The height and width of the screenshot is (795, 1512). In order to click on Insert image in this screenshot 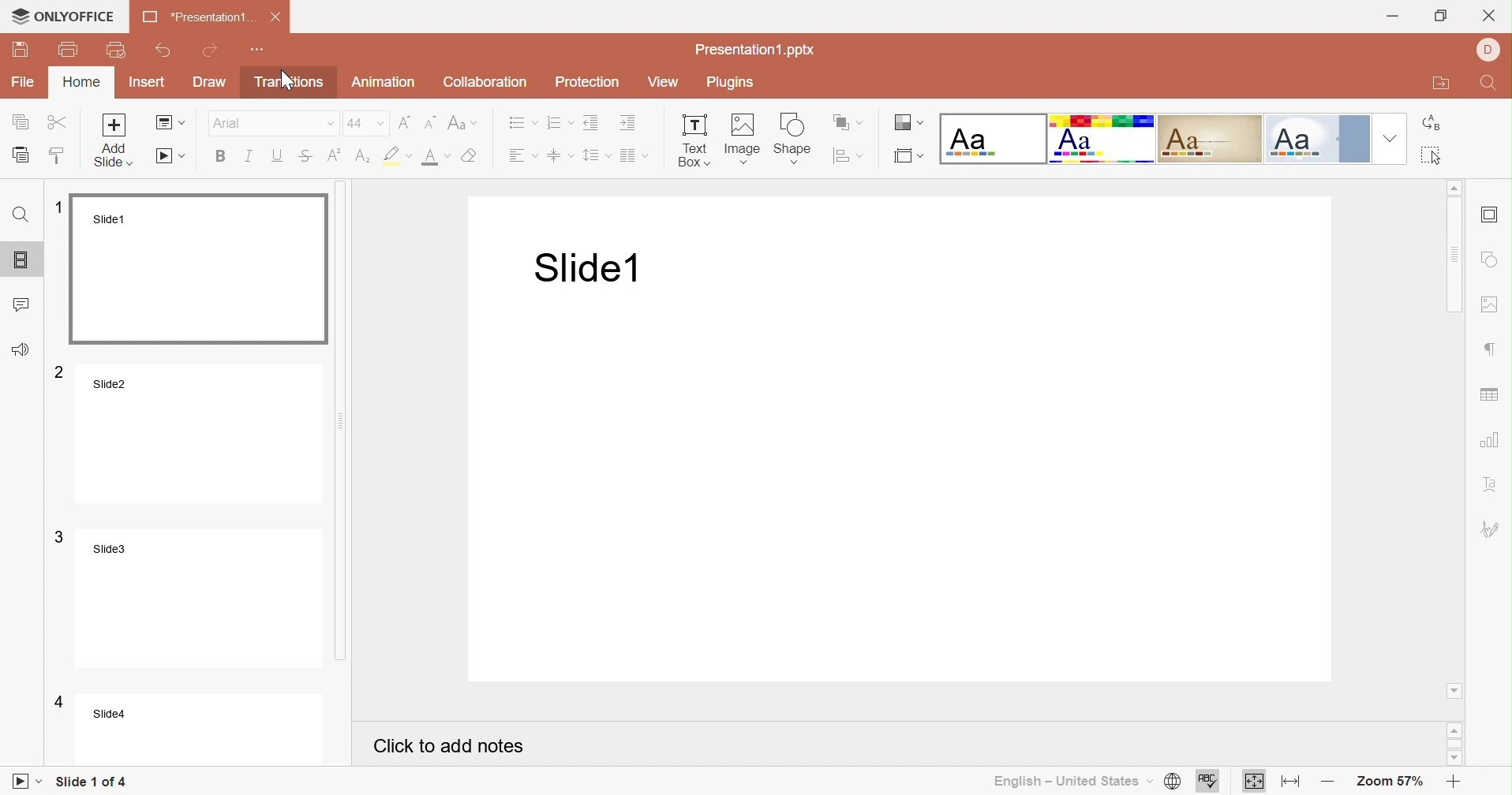, I will do `click(741, 138)`.